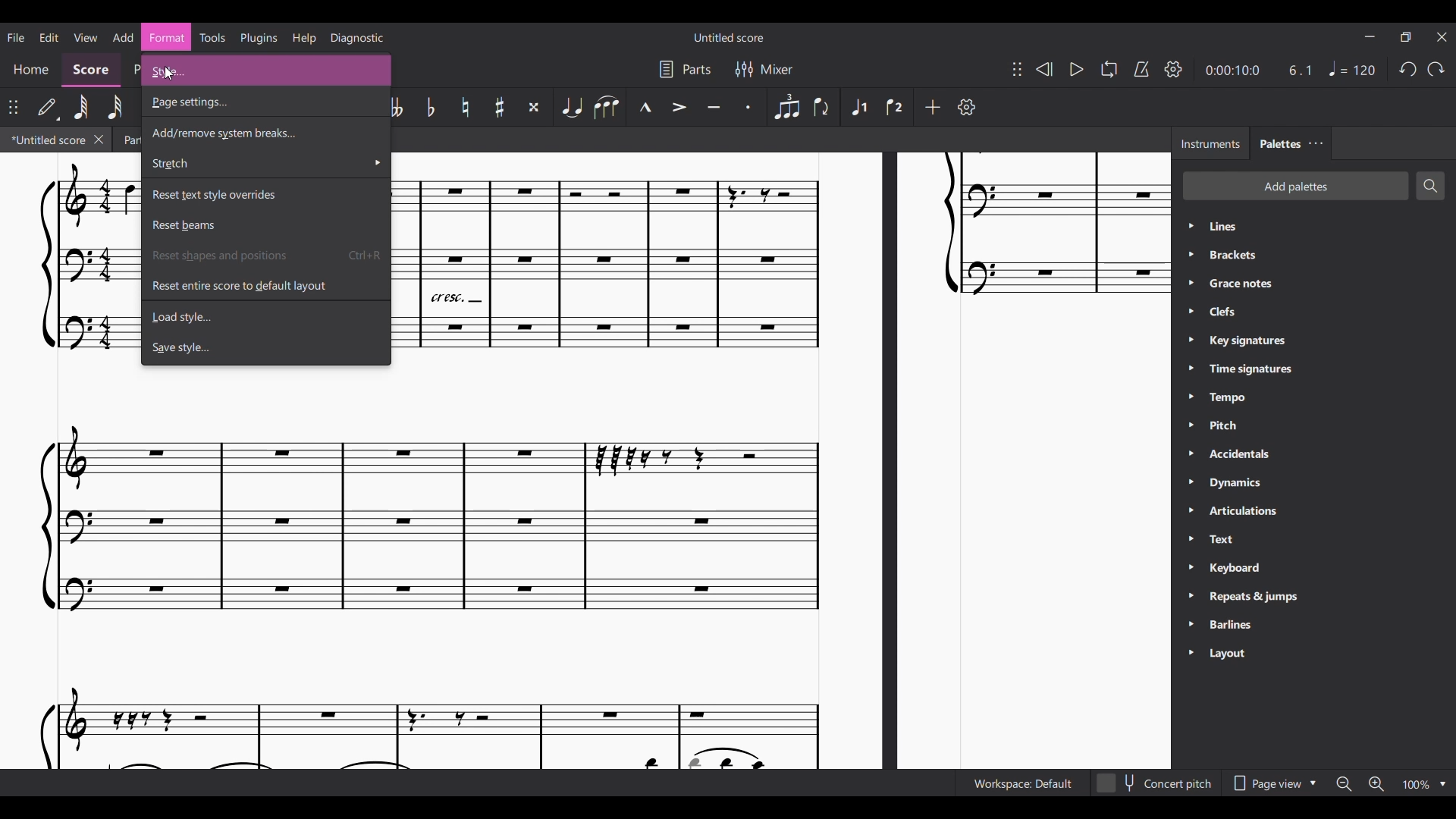 The height and width of the screenshot is (819, 1456). What do you see at coordinates (1141, 69) in the screenshot?
I see `Metronome` at bounding box center [1141, 69].